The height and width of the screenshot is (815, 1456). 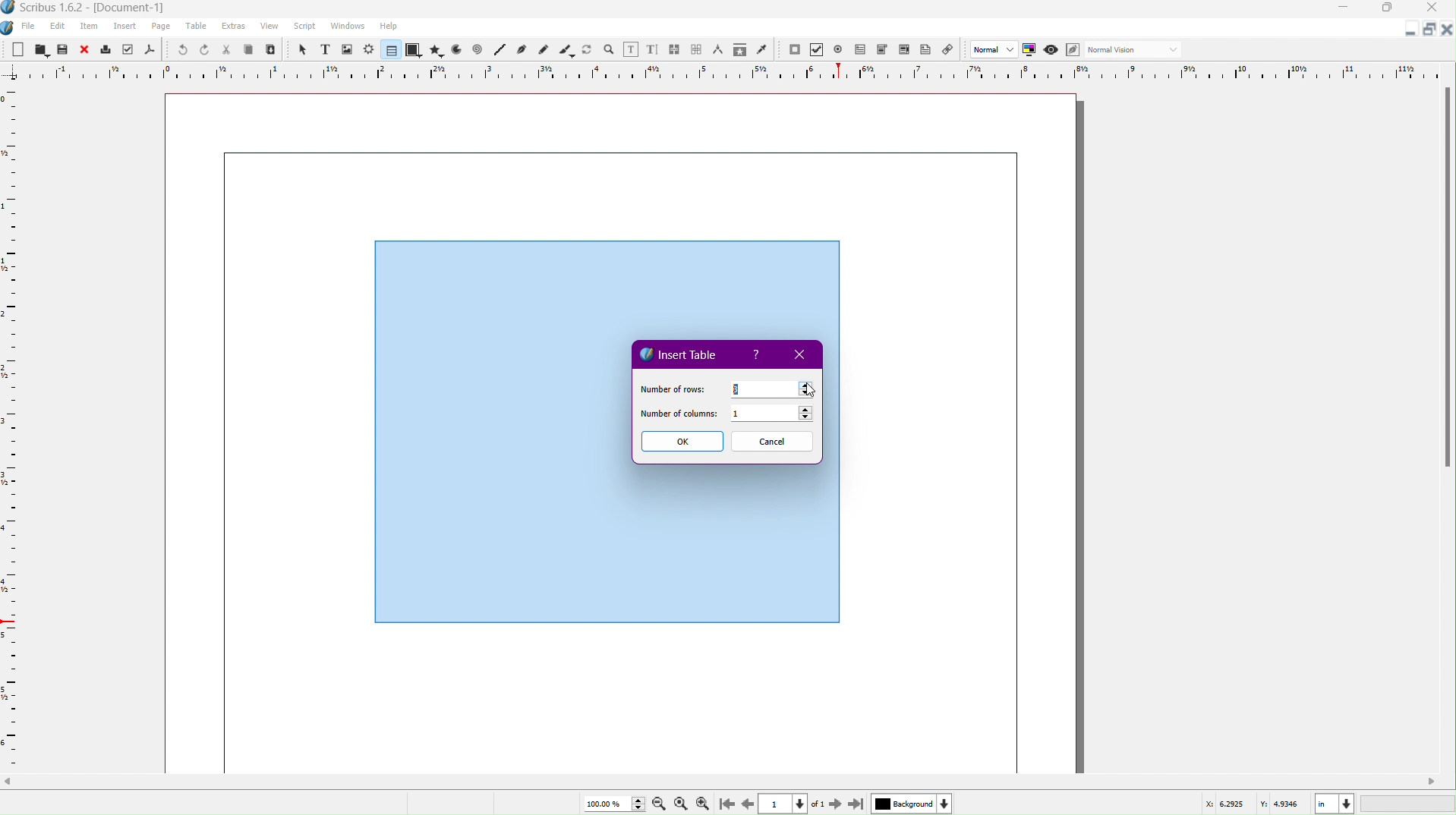 I want to click on Scrollbar, so click(x=1446, y=282).